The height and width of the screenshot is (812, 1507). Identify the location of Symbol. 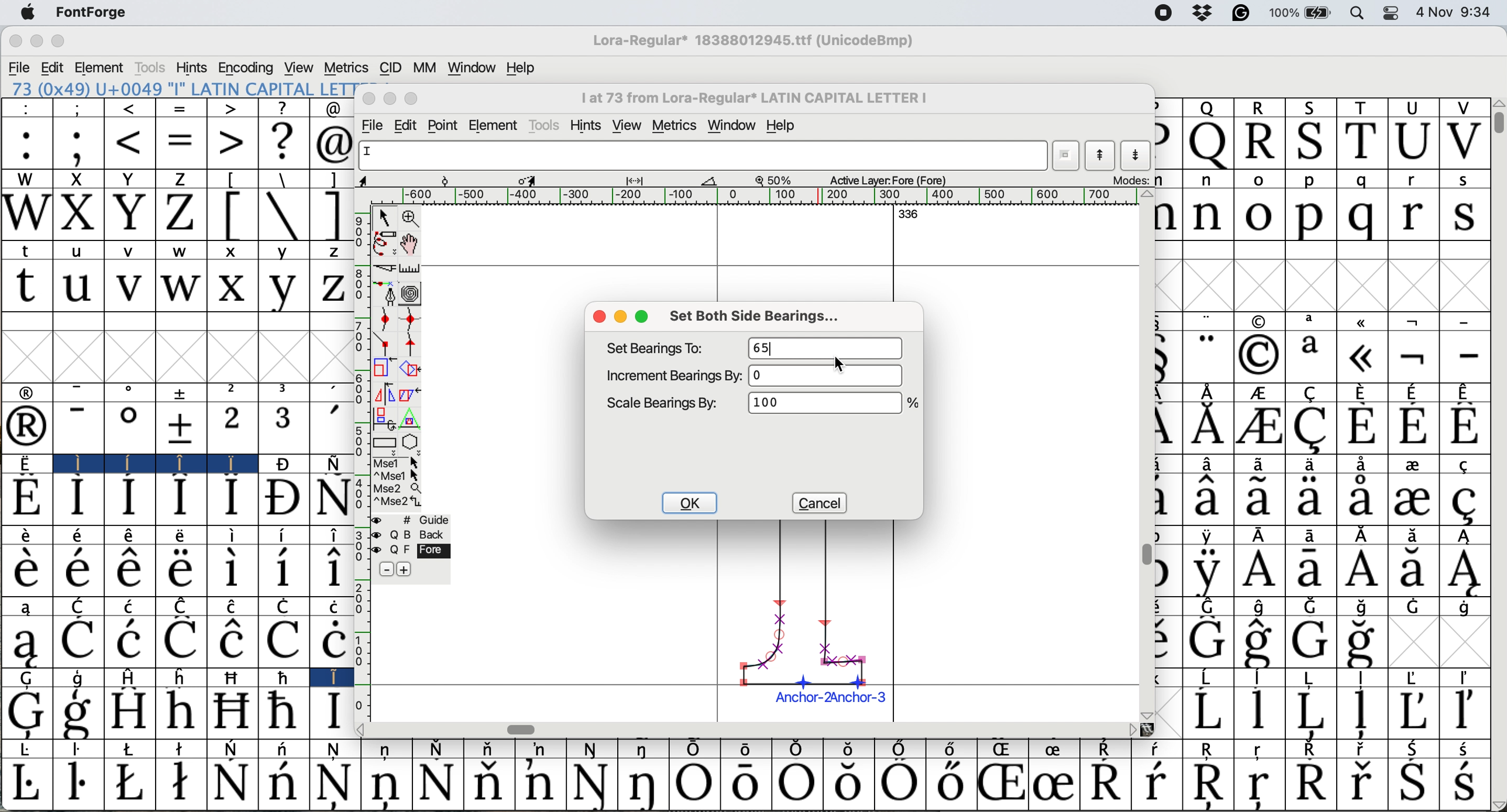
(1466, 607).